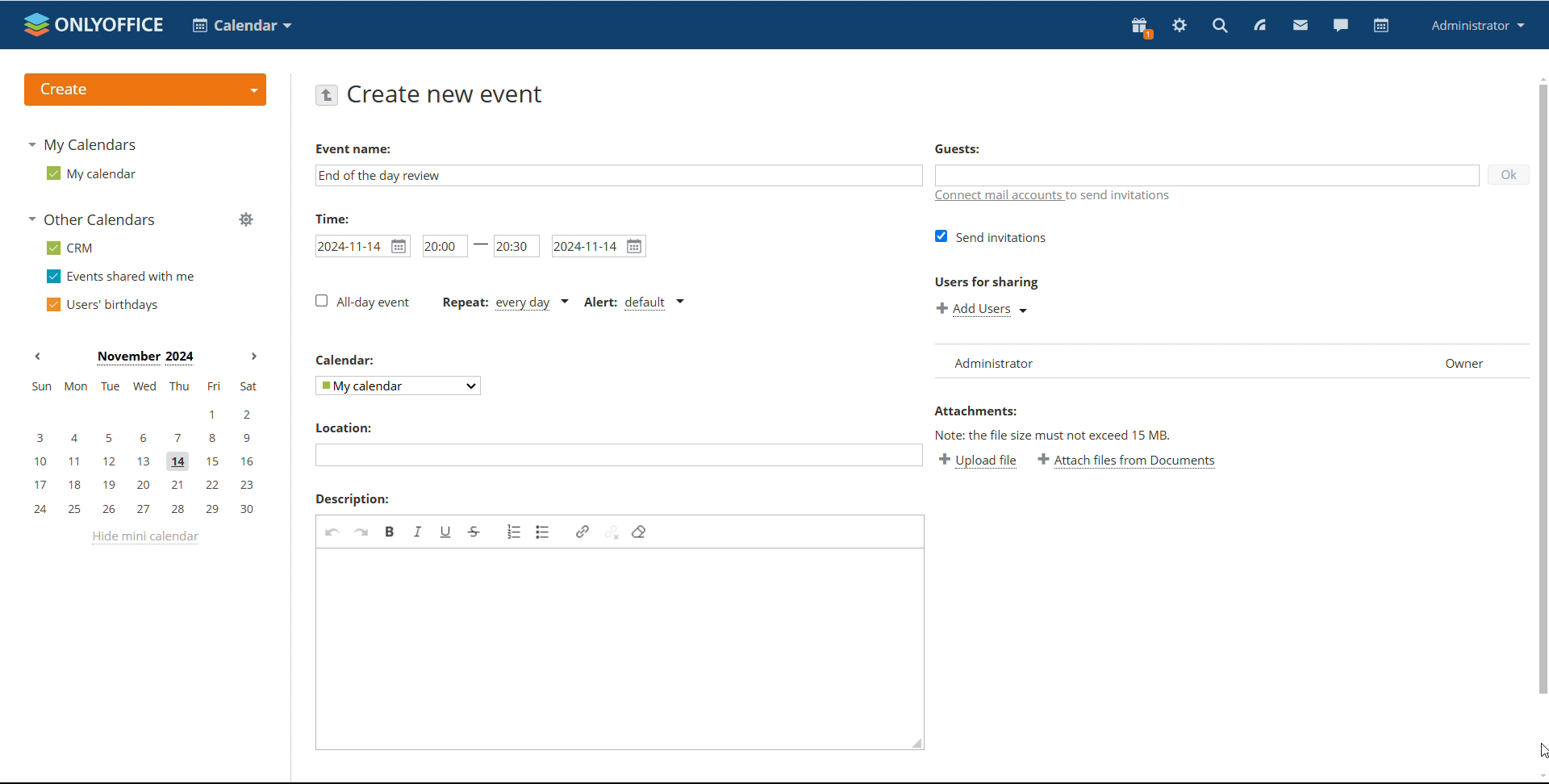 This screenshot has height=784, width=1549. What do you see at coordinates (1539, 77) in the screenshot?
I see `scroll up` at bounding box center [1539, 77].